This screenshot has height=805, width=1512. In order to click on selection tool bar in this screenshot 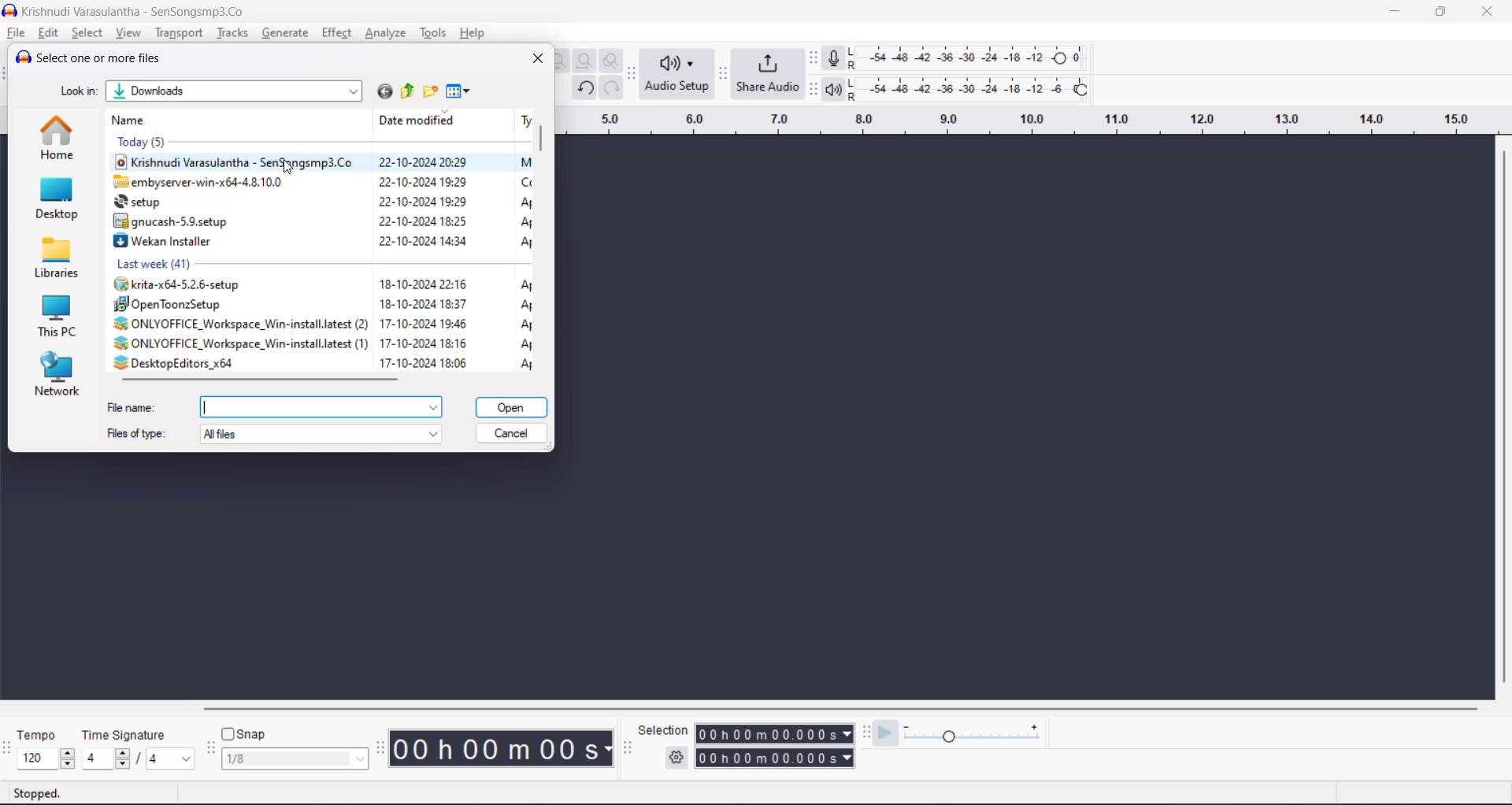, I will do `click(625, 748)`.